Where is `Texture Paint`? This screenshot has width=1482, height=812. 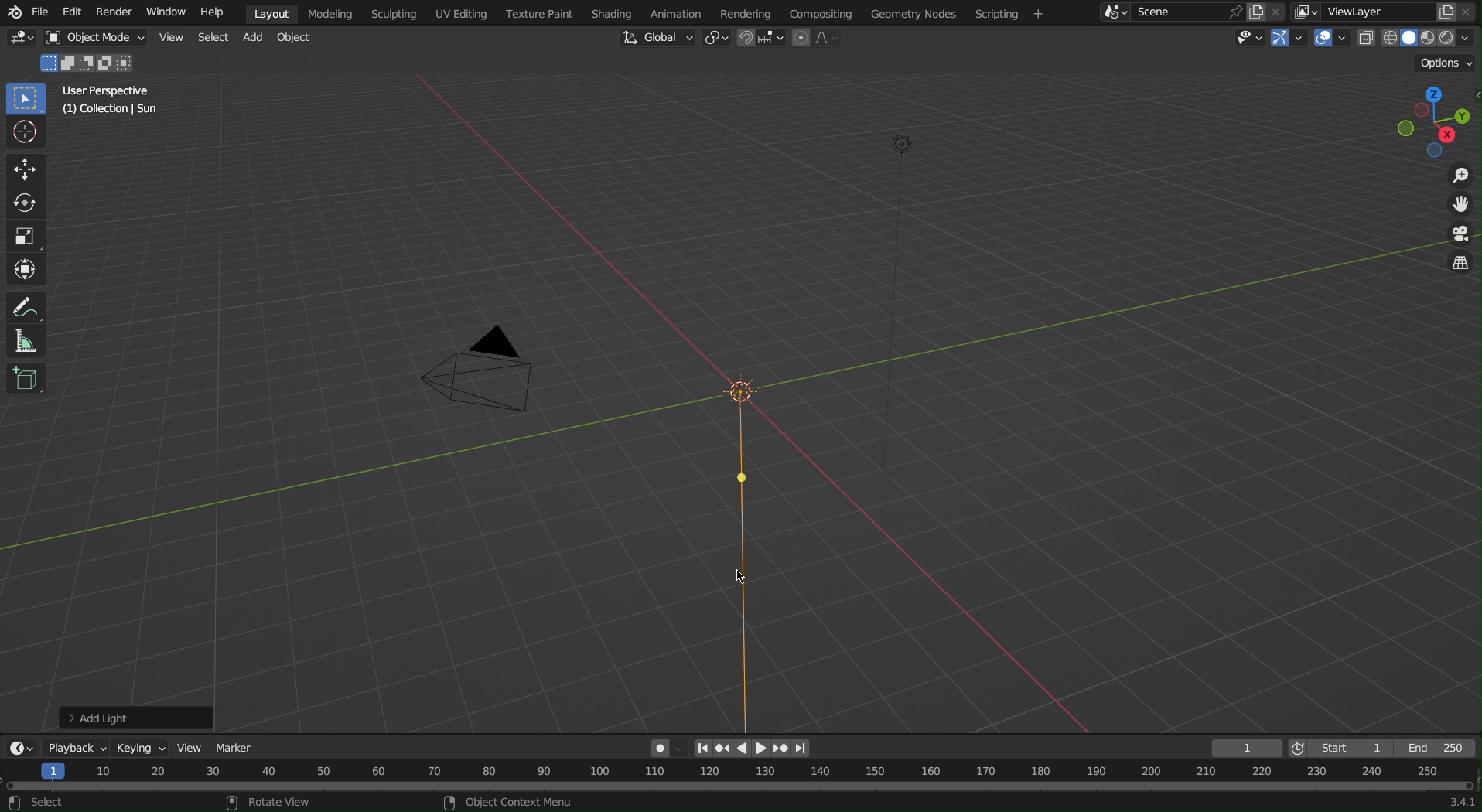
Texture Paint is located at coordinates (539, 13).